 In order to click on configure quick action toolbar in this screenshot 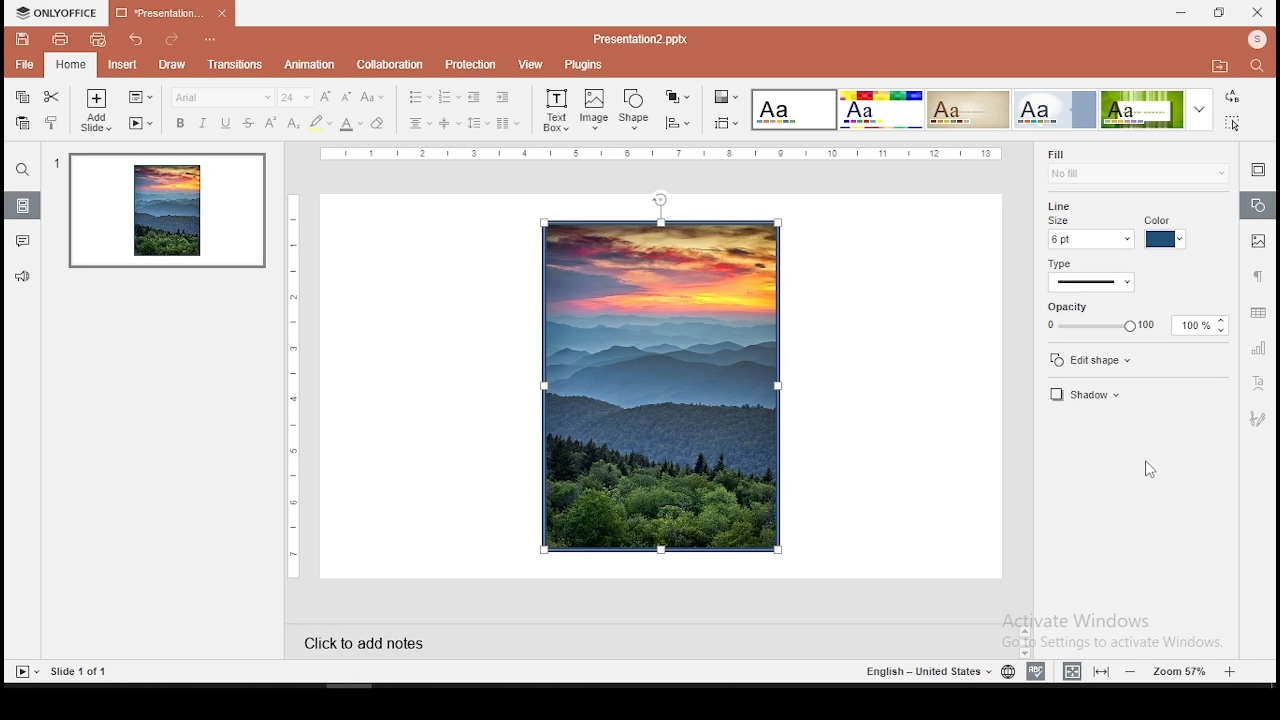, I will do `click(208, 41)`.